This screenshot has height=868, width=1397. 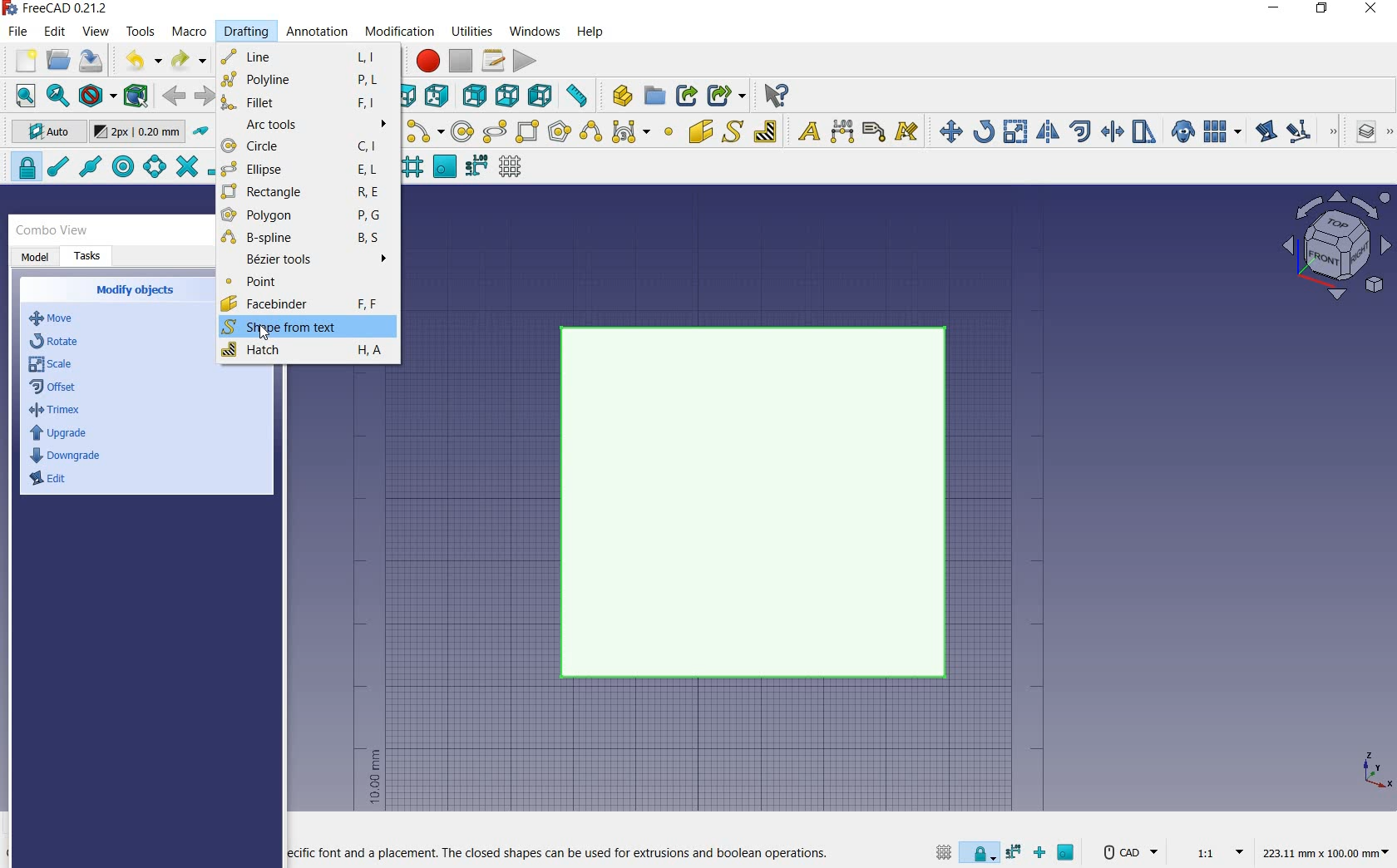 What do you see at coordinates (308, 147) in the screenshot?
I see `circle` at bounding box center [308, 147].